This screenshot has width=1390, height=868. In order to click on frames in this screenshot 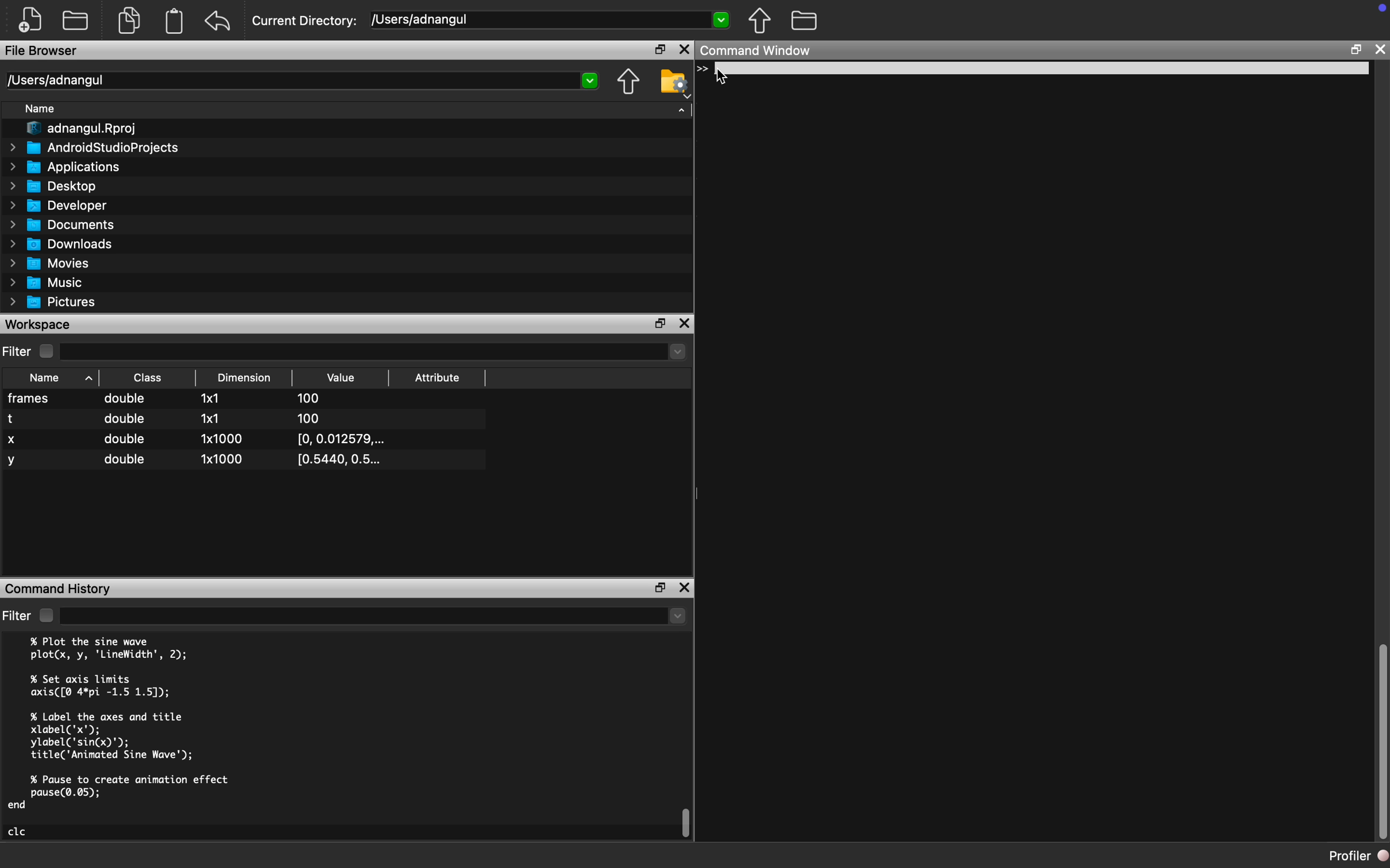, I will do `click(31, 398)`.